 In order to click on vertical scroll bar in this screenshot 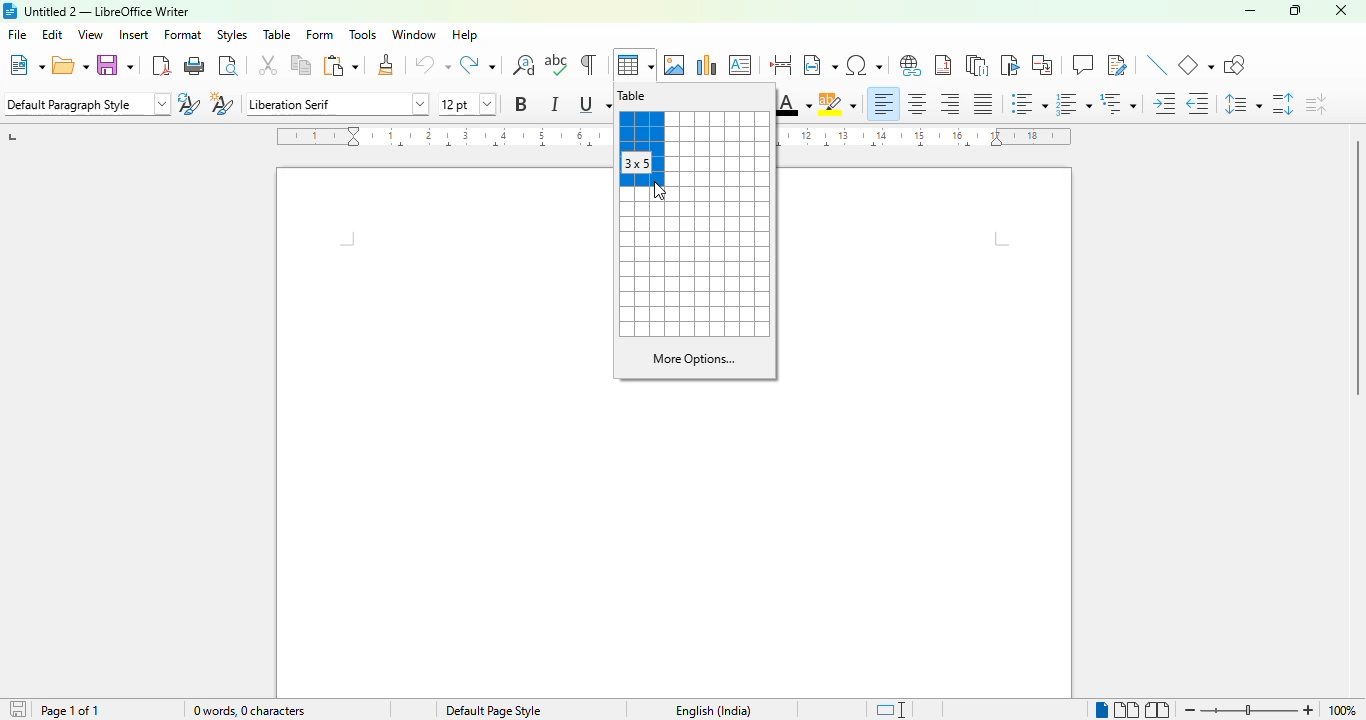, I will do `click(1354, 268)`.